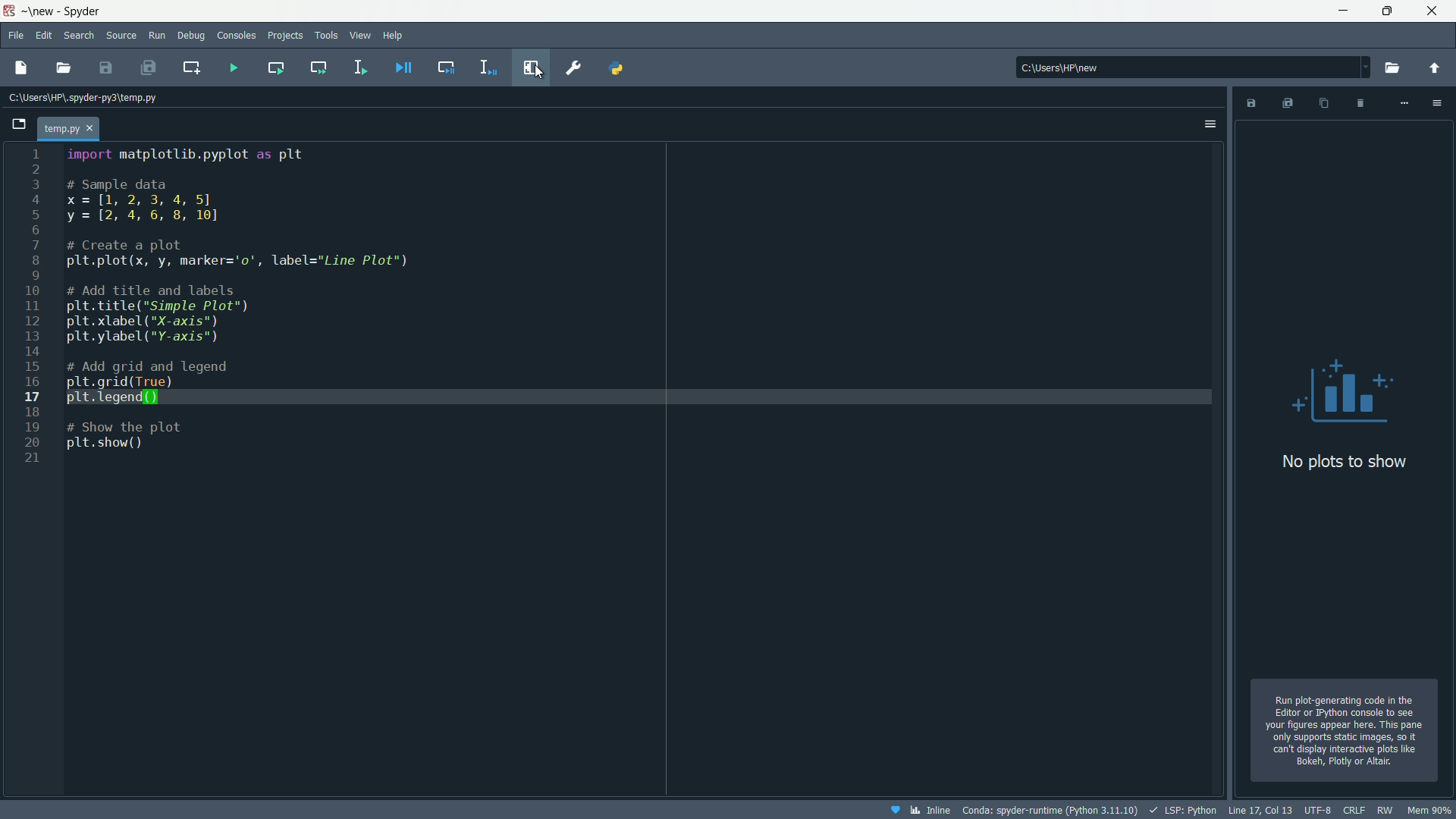 The height and width of the screenshot is (819, 1456). I want to click on source, so click(120, 36).